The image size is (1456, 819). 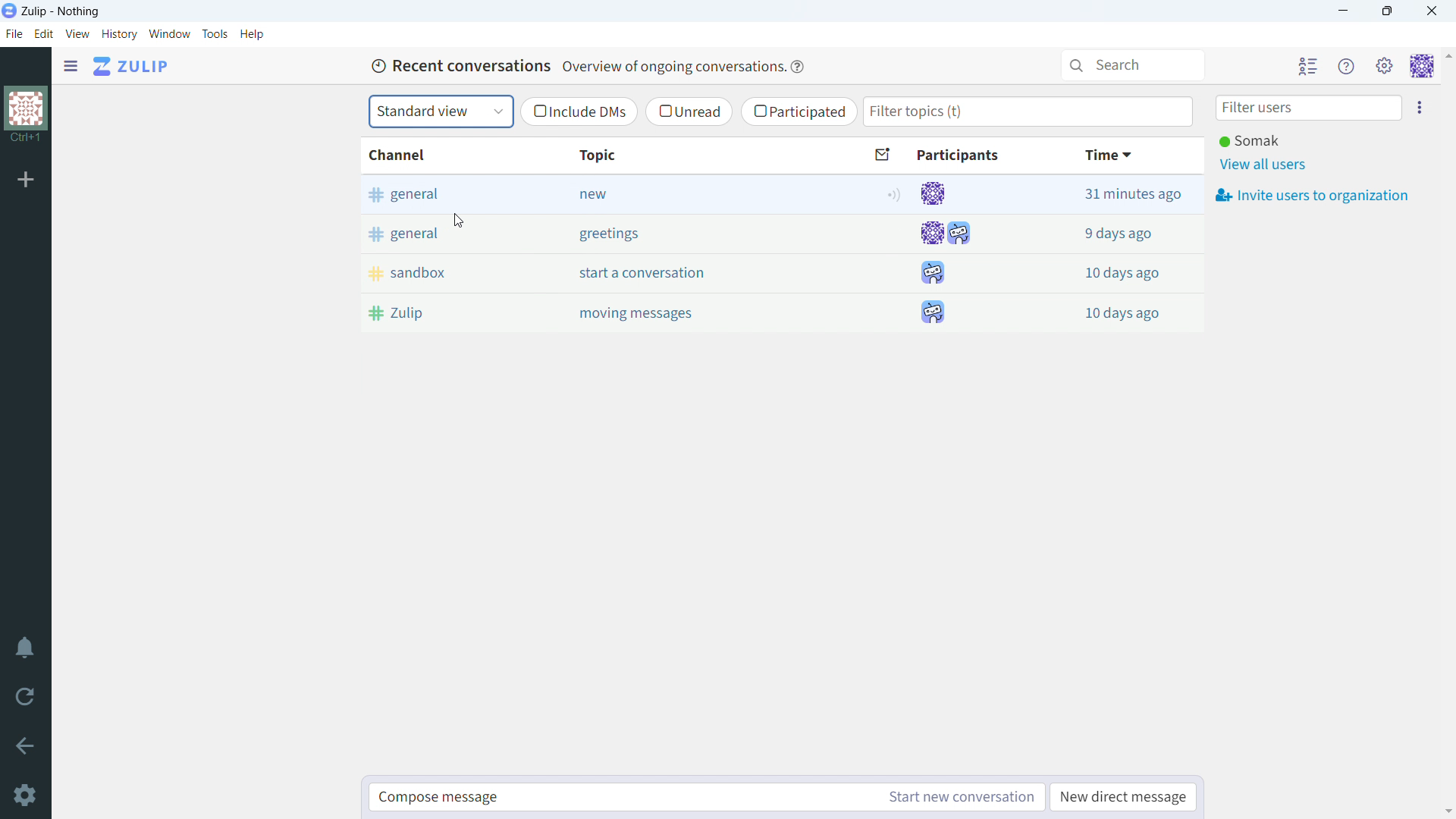 I want to click on scroll down, so click(x=1447, y=811).